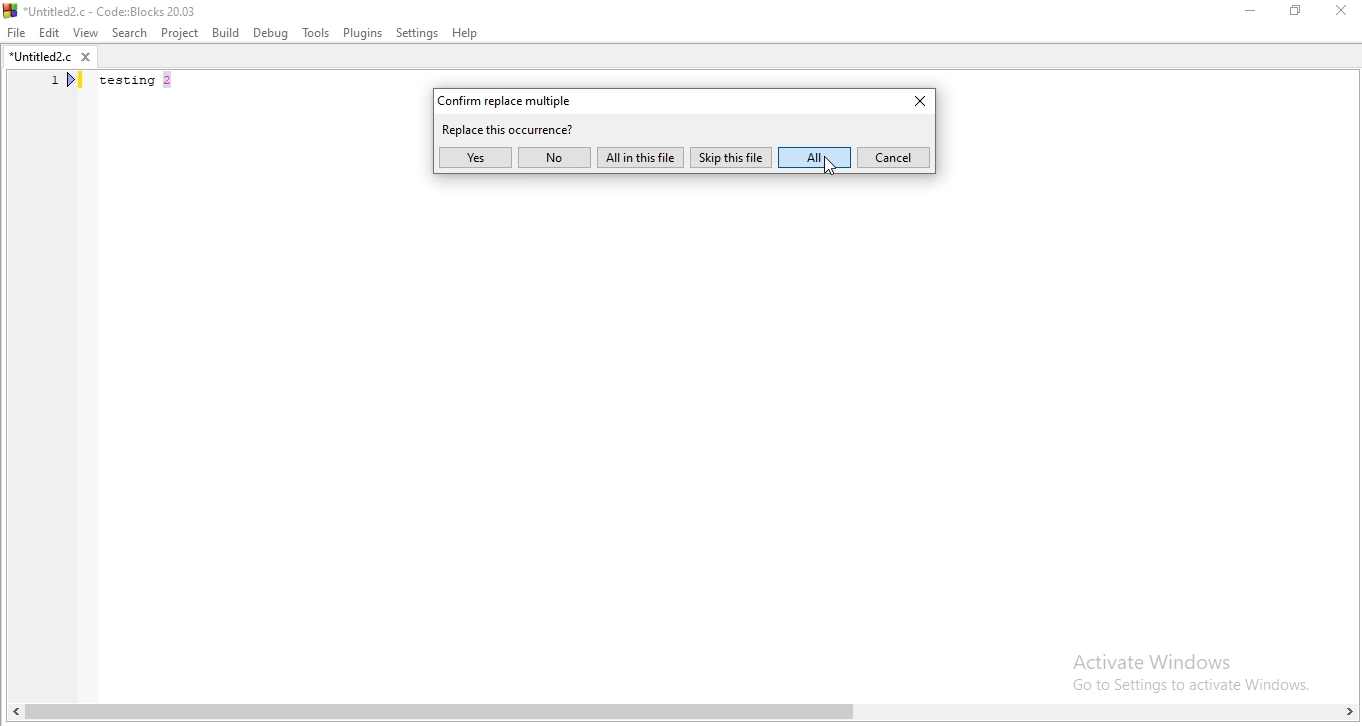 The height and width of the screenshot is (726, 1362). I want to click on Search , so click(127, 32).